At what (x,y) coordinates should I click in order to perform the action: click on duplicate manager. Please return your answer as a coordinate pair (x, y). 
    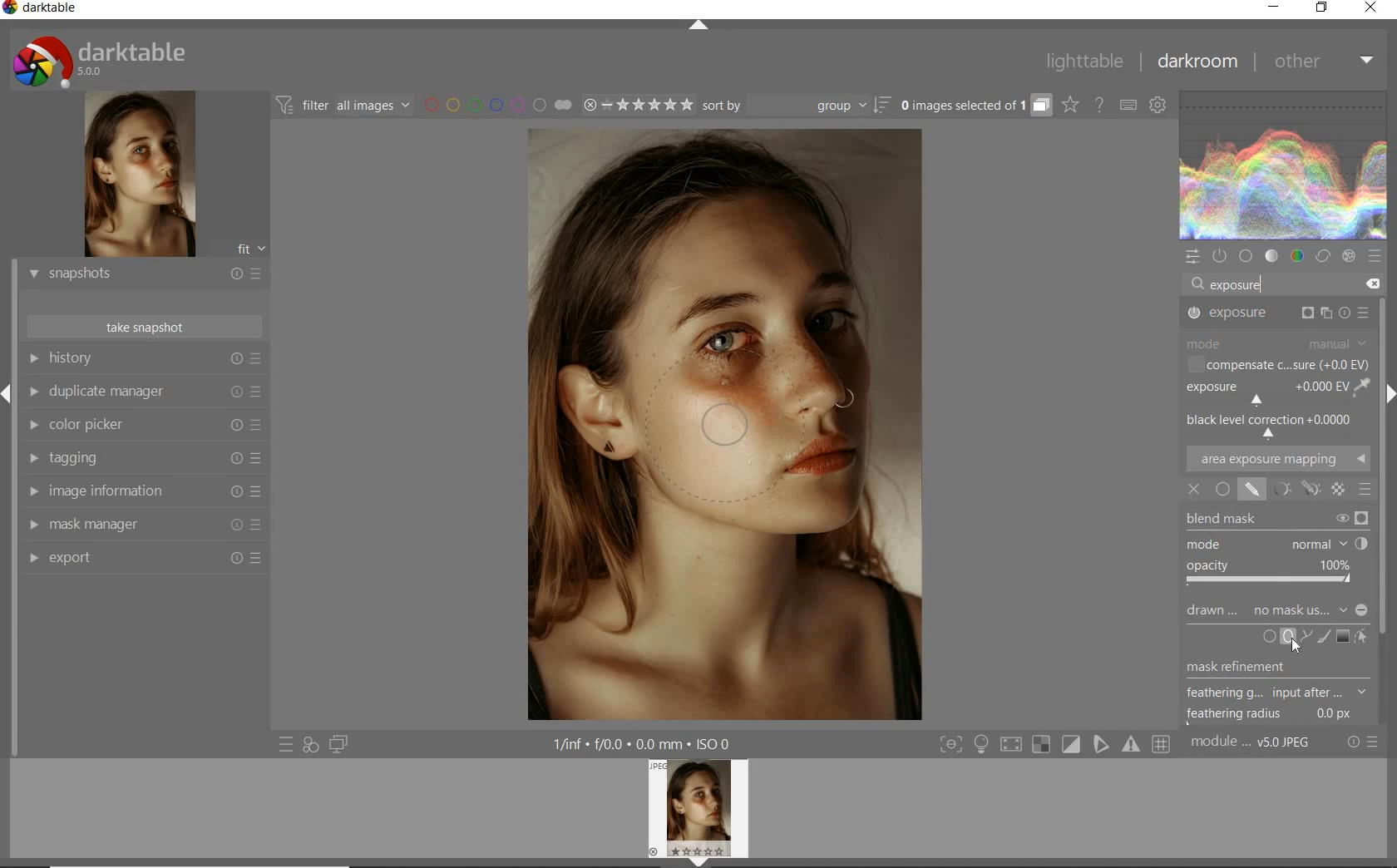
    Looking at the image, I should click on (143, 392).